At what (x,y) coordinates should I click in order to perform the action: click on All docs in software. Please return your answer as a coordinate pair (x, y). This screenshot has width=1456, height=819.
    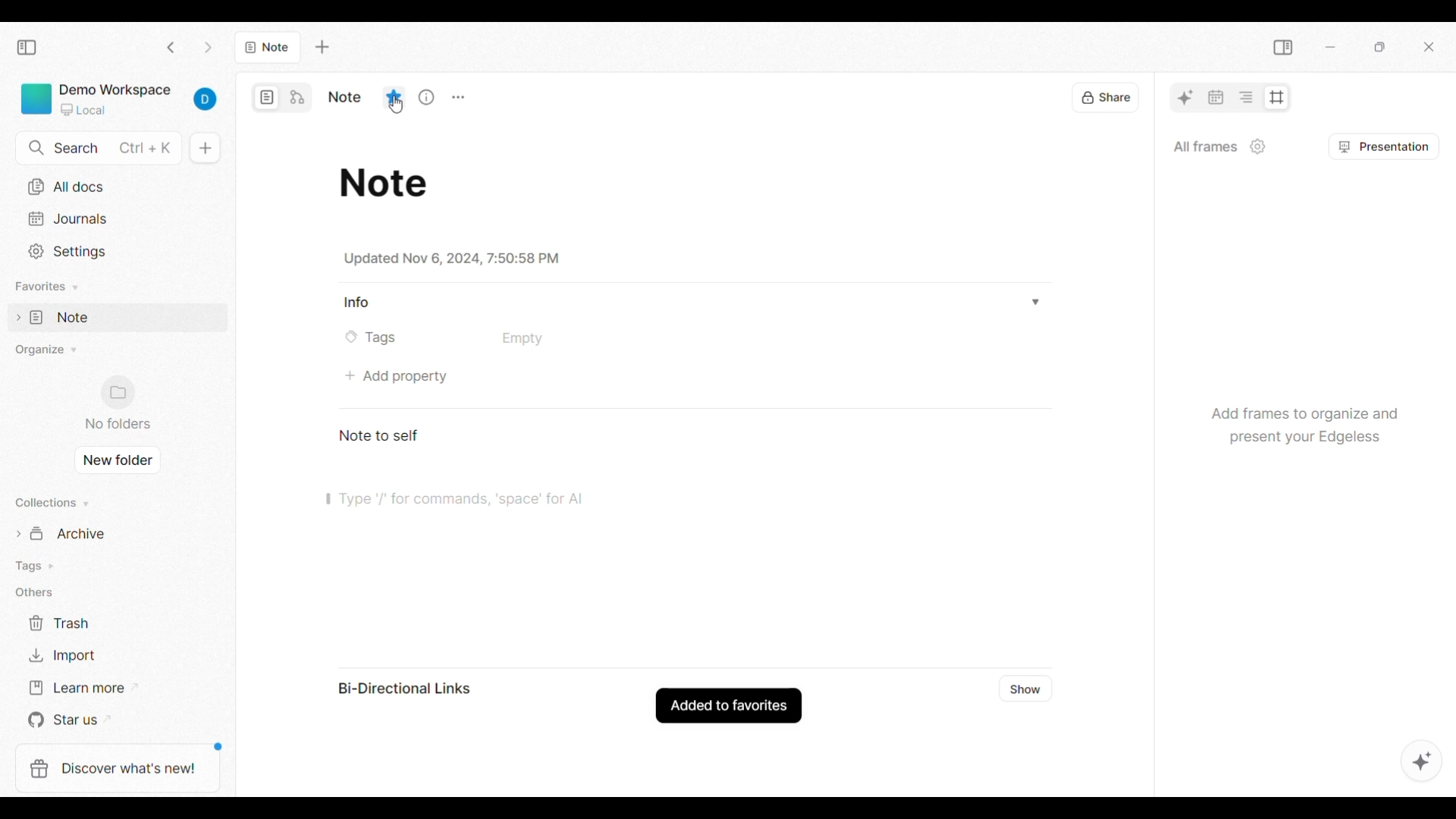
    Looking at the image, I should click on (115, 188).